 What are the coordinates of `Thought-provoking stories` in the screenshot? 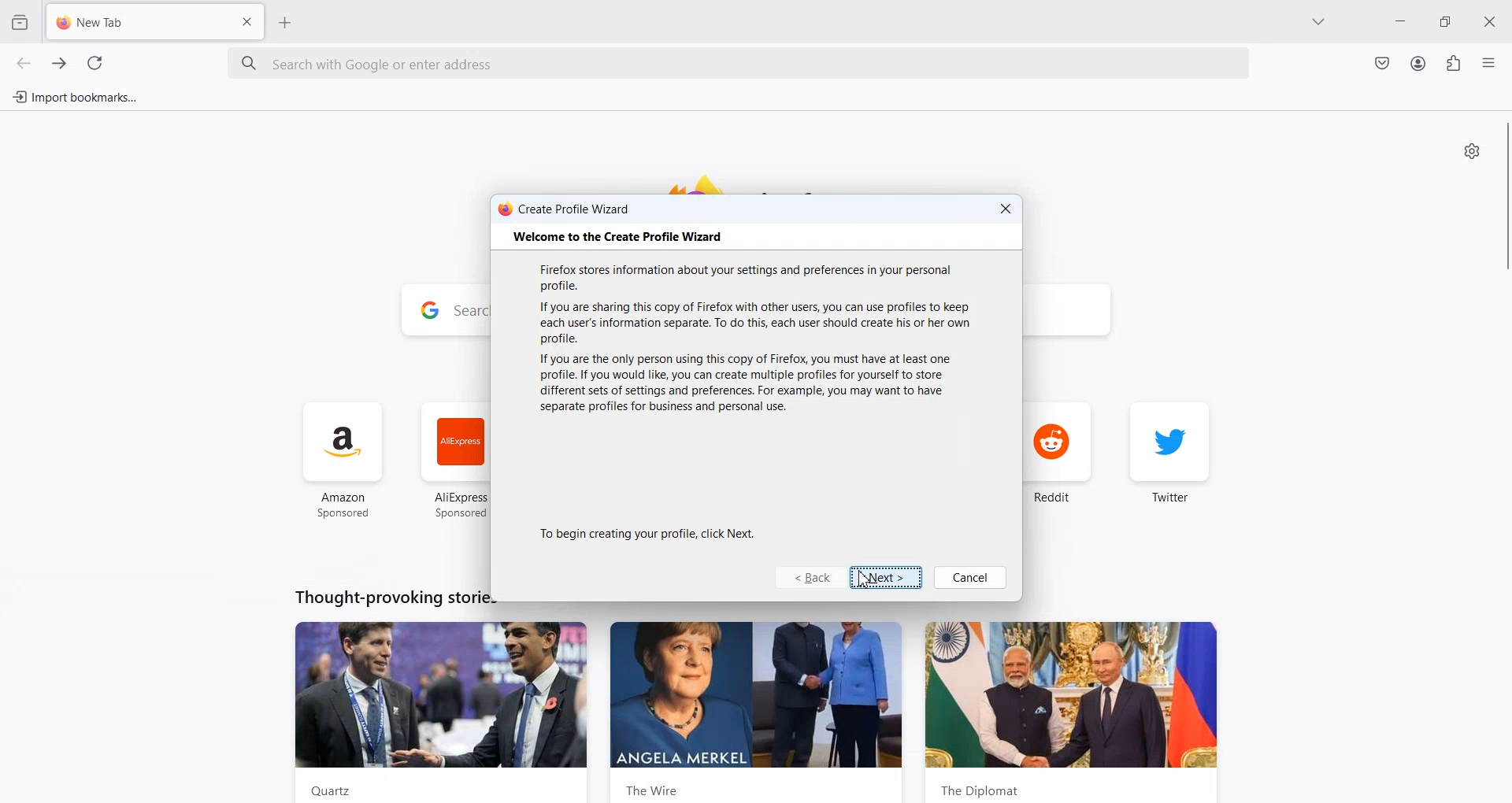 It's located at (387, 598).